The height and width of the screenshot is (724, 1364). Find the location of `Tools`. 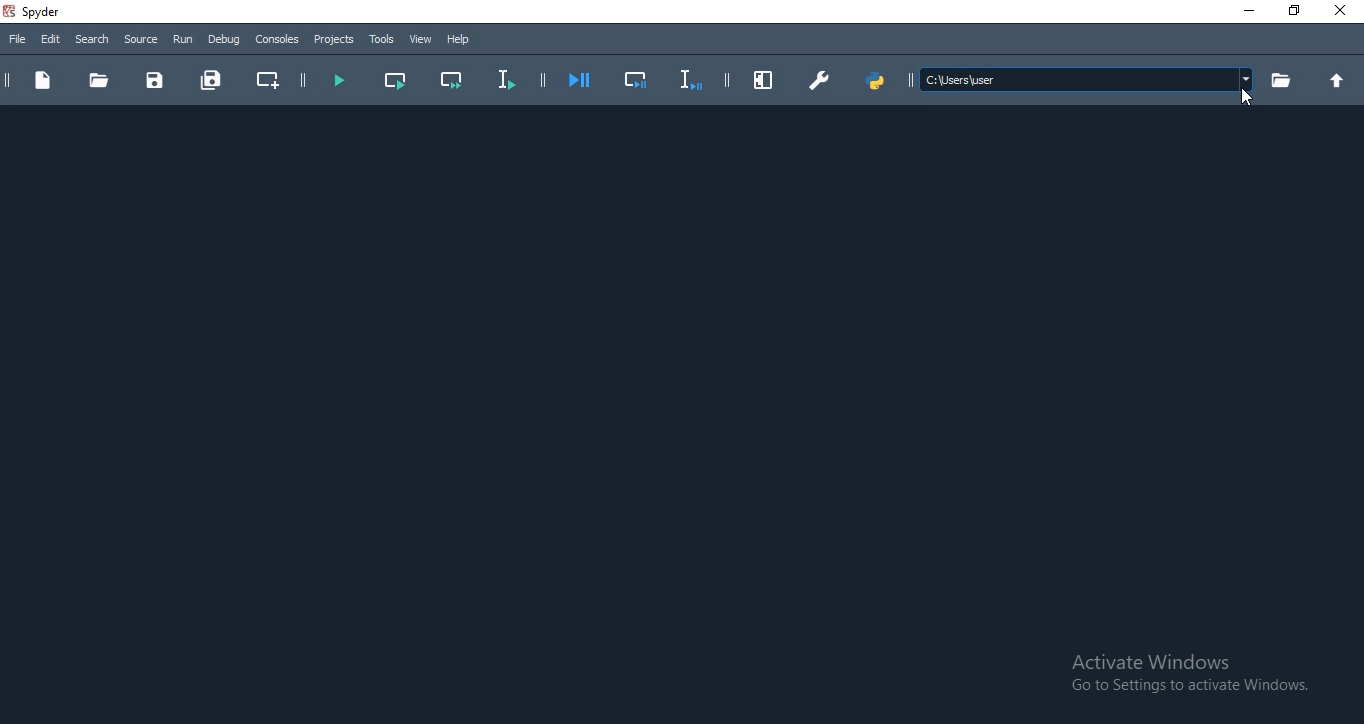

Tools is located at coordinates (383, 40).